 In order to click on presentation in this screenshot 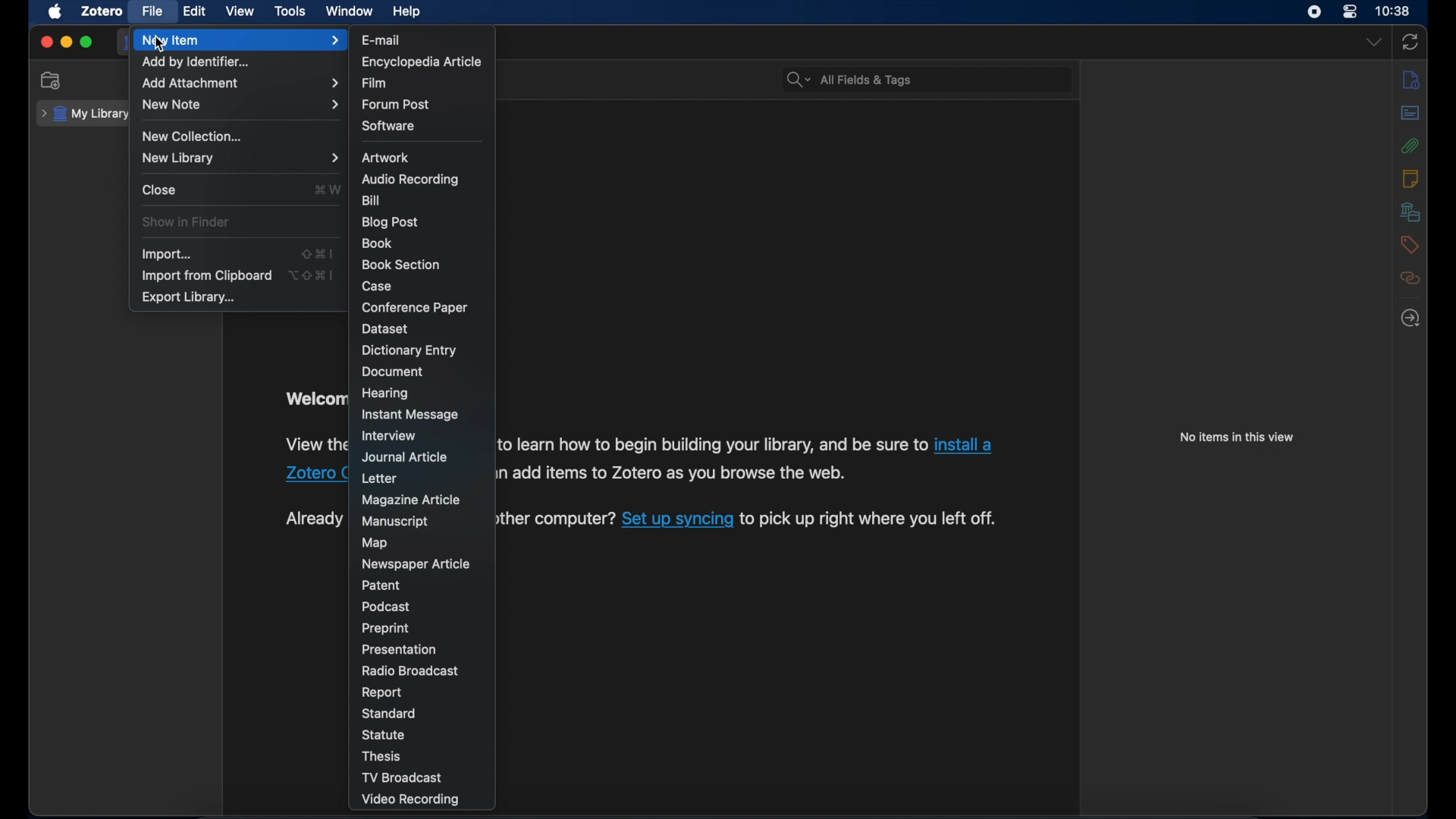, I will do `click(400, 649)`.